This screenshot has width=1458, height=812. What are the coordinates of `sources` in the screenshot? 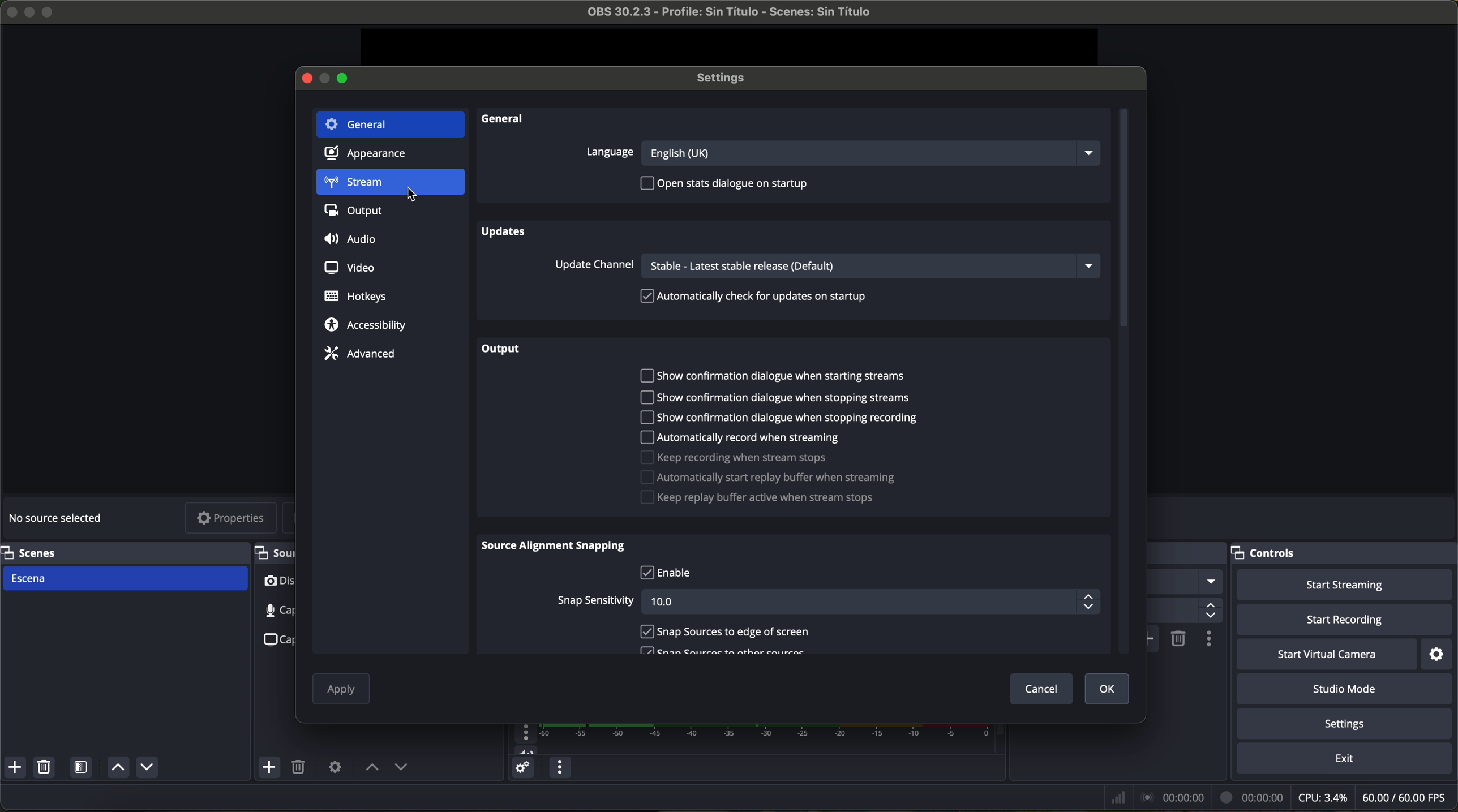 It's located at (273, 552).